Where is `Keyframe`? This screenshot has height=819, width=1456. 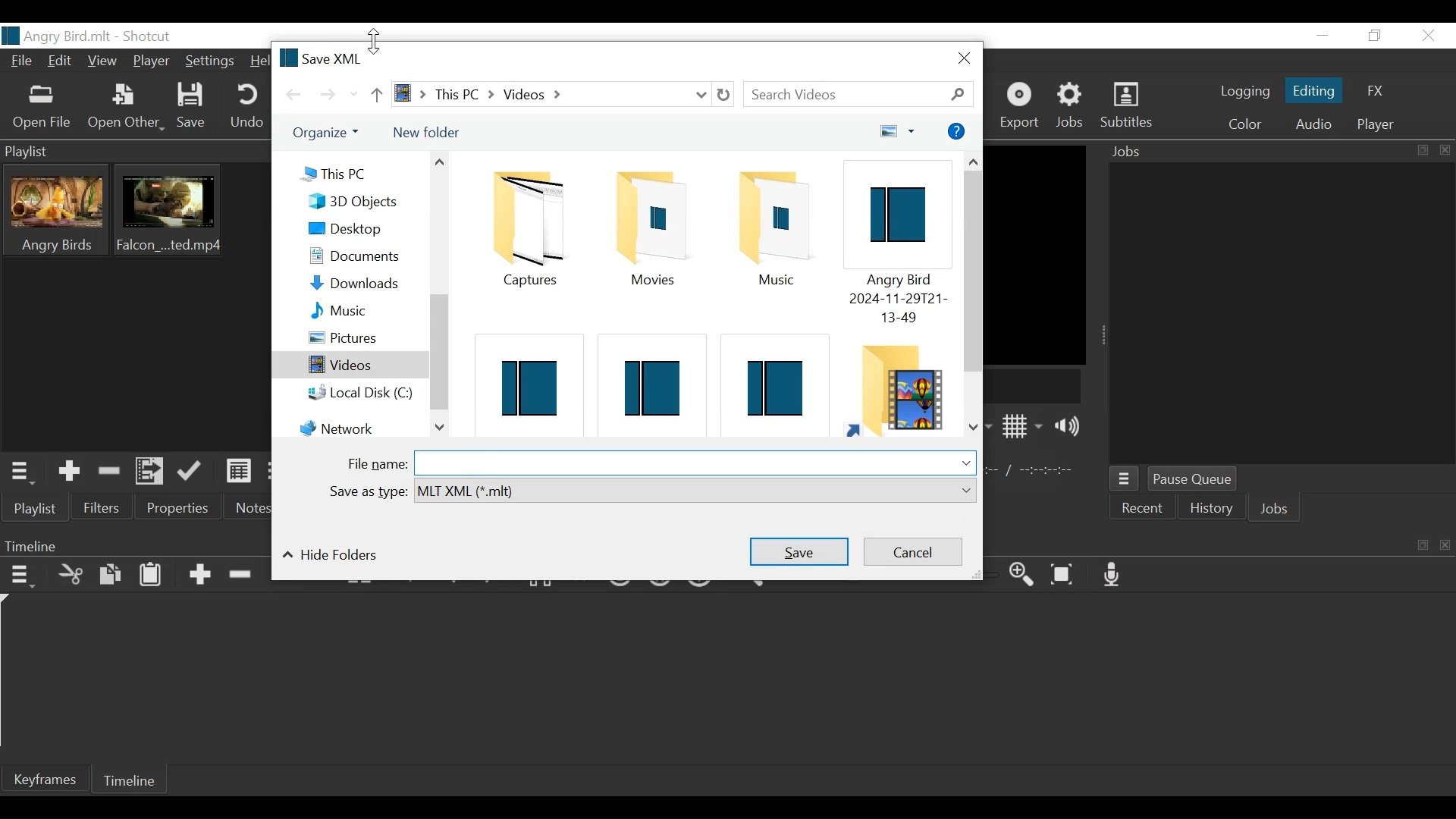 Keyframe is located at coordinates (52, 781).